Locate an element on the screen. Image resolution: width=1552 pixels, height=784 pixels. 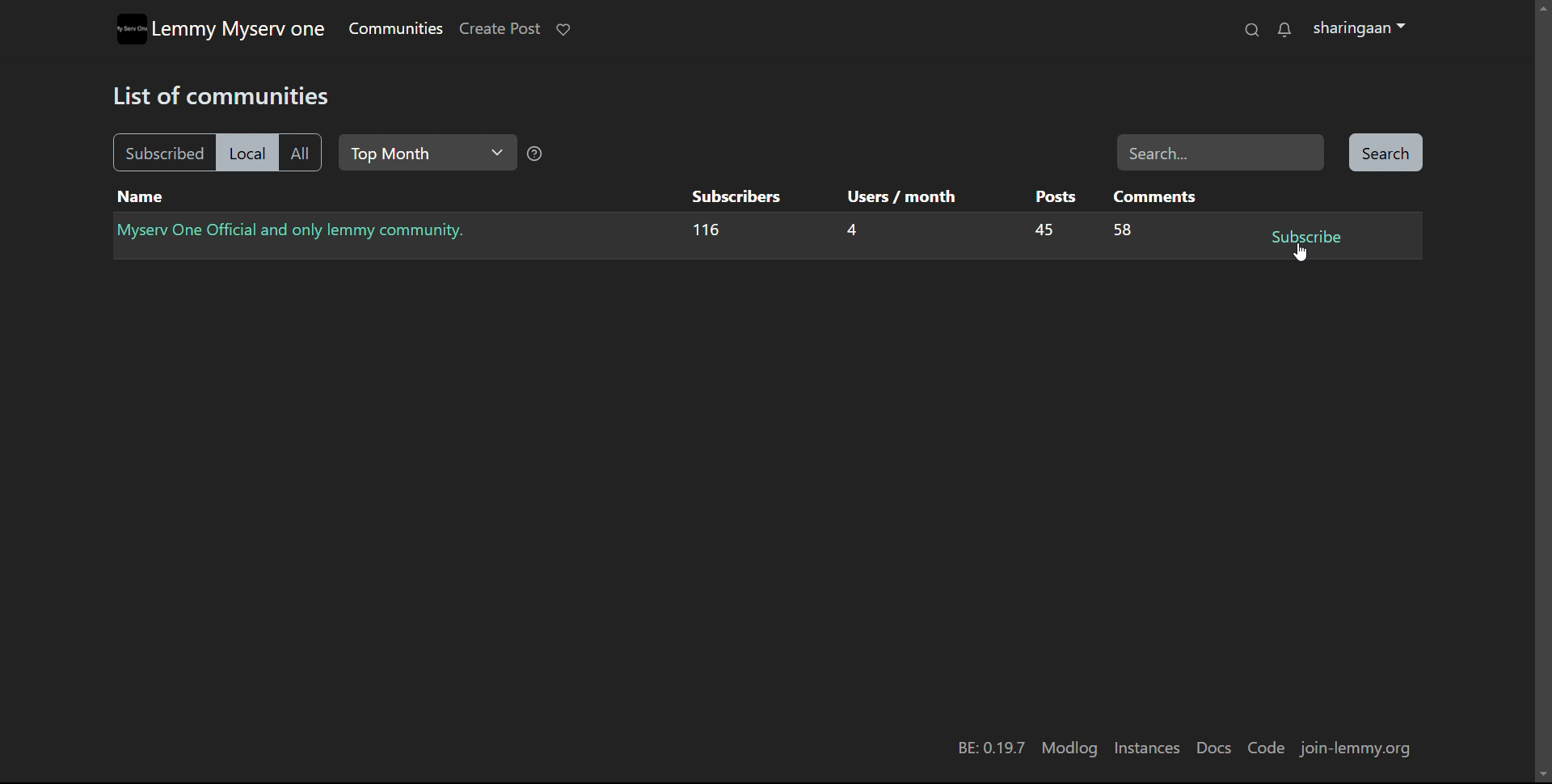
Search is located at coordinates (1221, 152).